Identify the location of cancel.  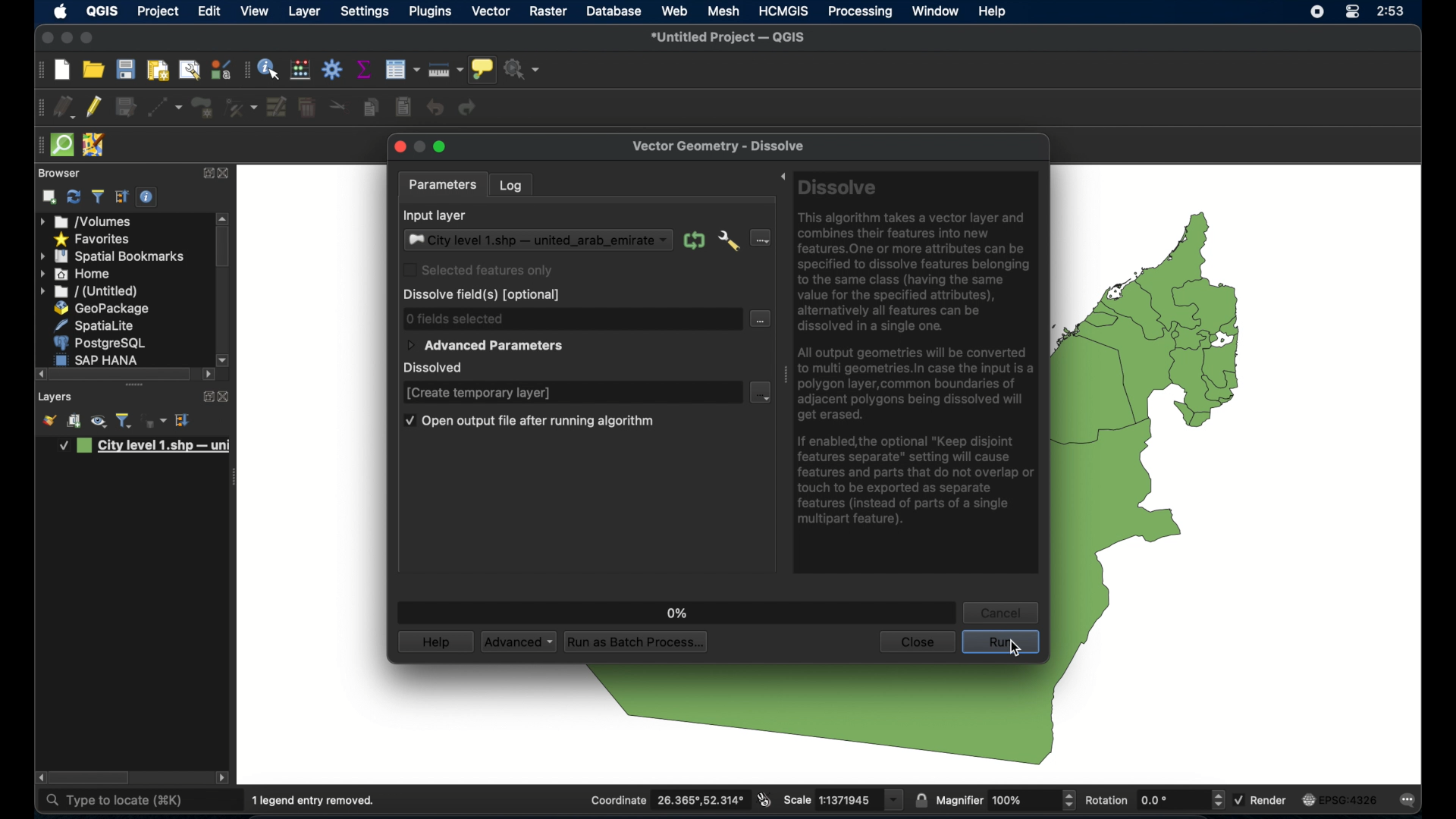
(999, 613).